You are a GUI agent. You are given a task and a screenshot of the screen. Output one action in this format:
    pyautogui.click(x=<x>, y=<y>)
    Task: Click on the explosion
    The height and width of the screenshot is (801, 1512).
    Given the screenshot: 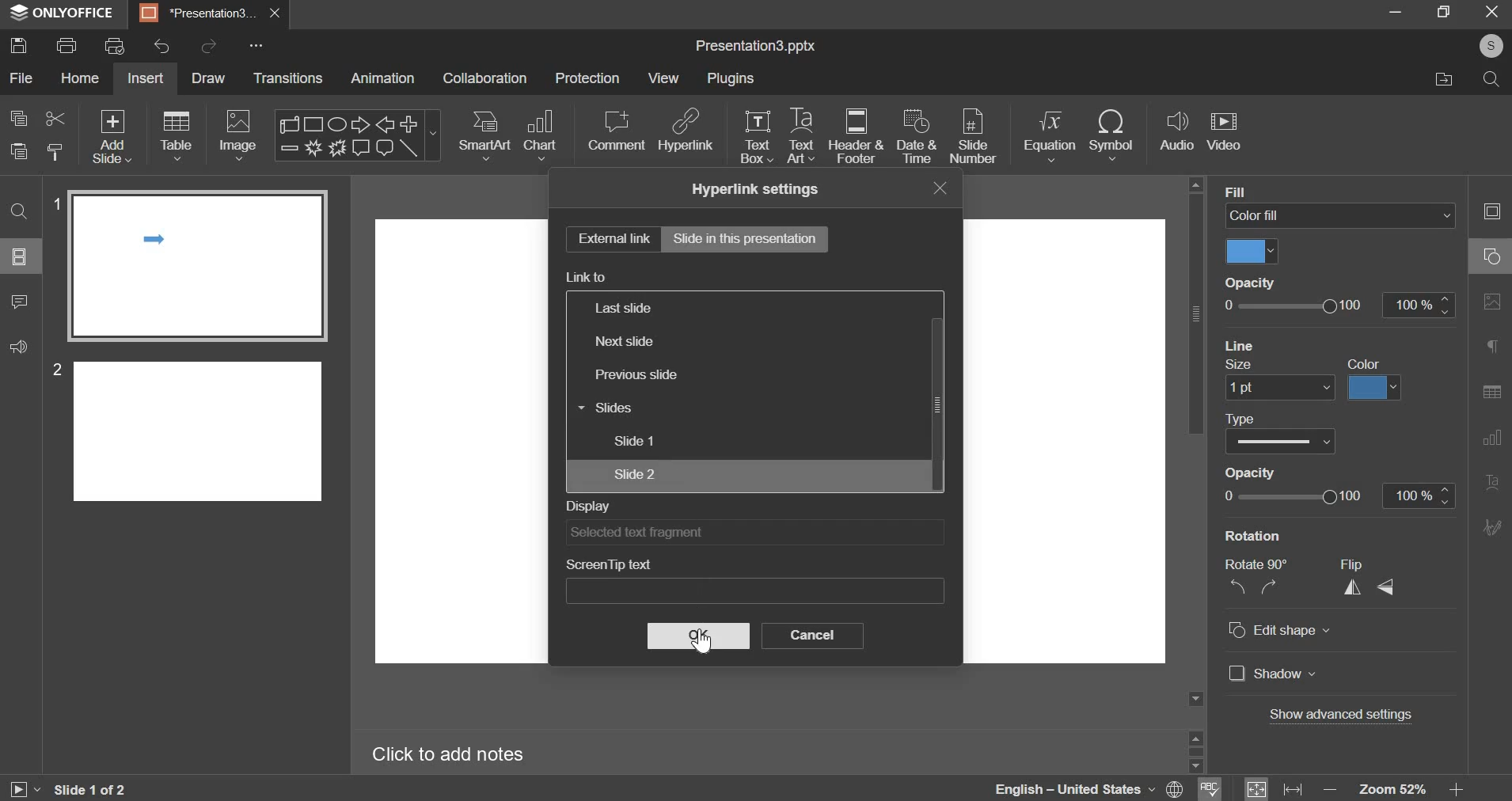 What is the action you would take?
    pyautogui.click(x=311, y=148)
    